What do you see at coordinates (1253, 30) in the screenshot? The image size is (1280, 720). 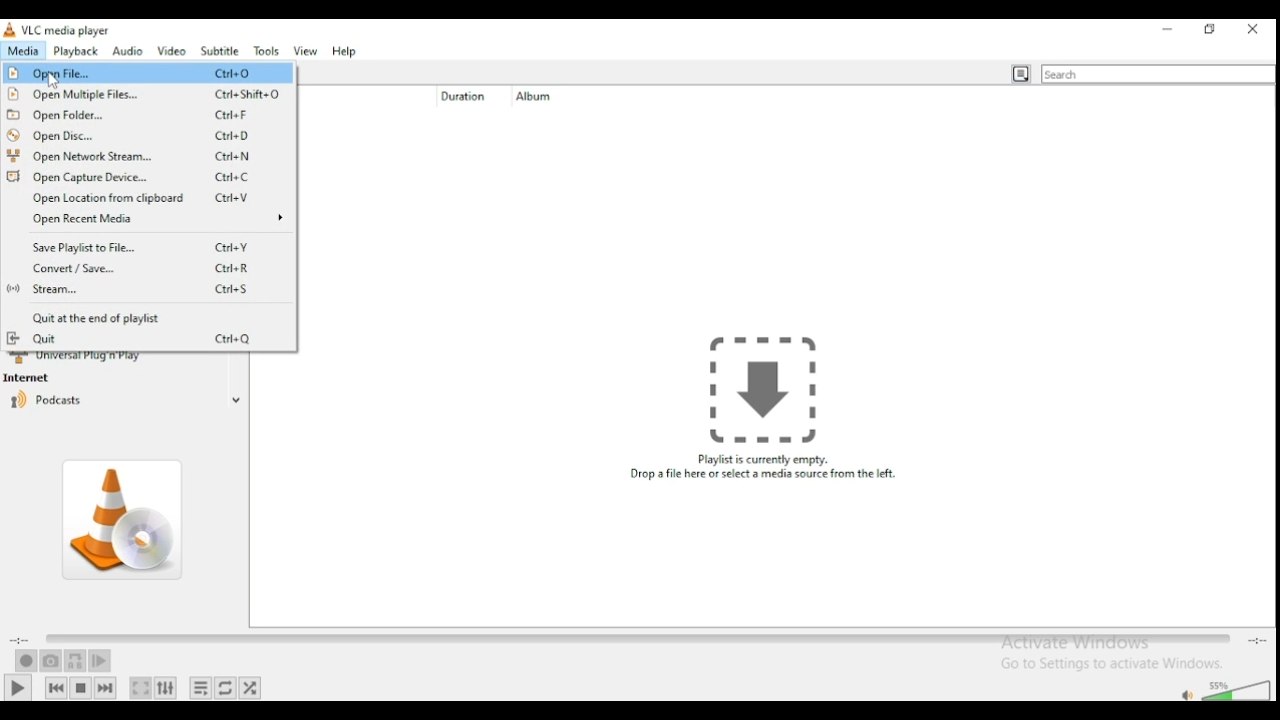 I see `close window` at bounding box center [1253, 30].